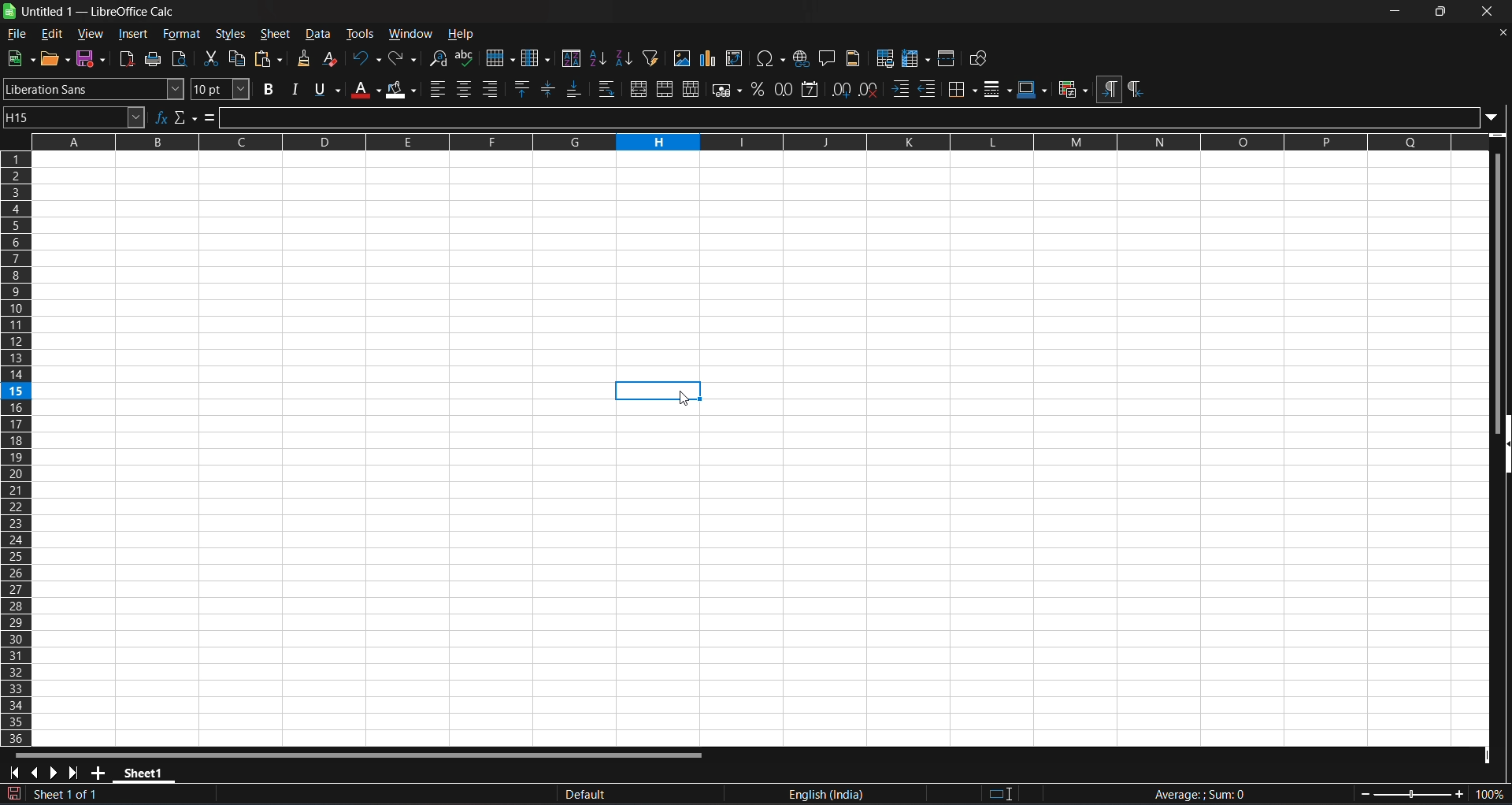 The image size is (1512, 805). What do you see at coordinates (127, 58) in the screenshot?
I see `export directly as pdf` at bounding box center [127, 58].